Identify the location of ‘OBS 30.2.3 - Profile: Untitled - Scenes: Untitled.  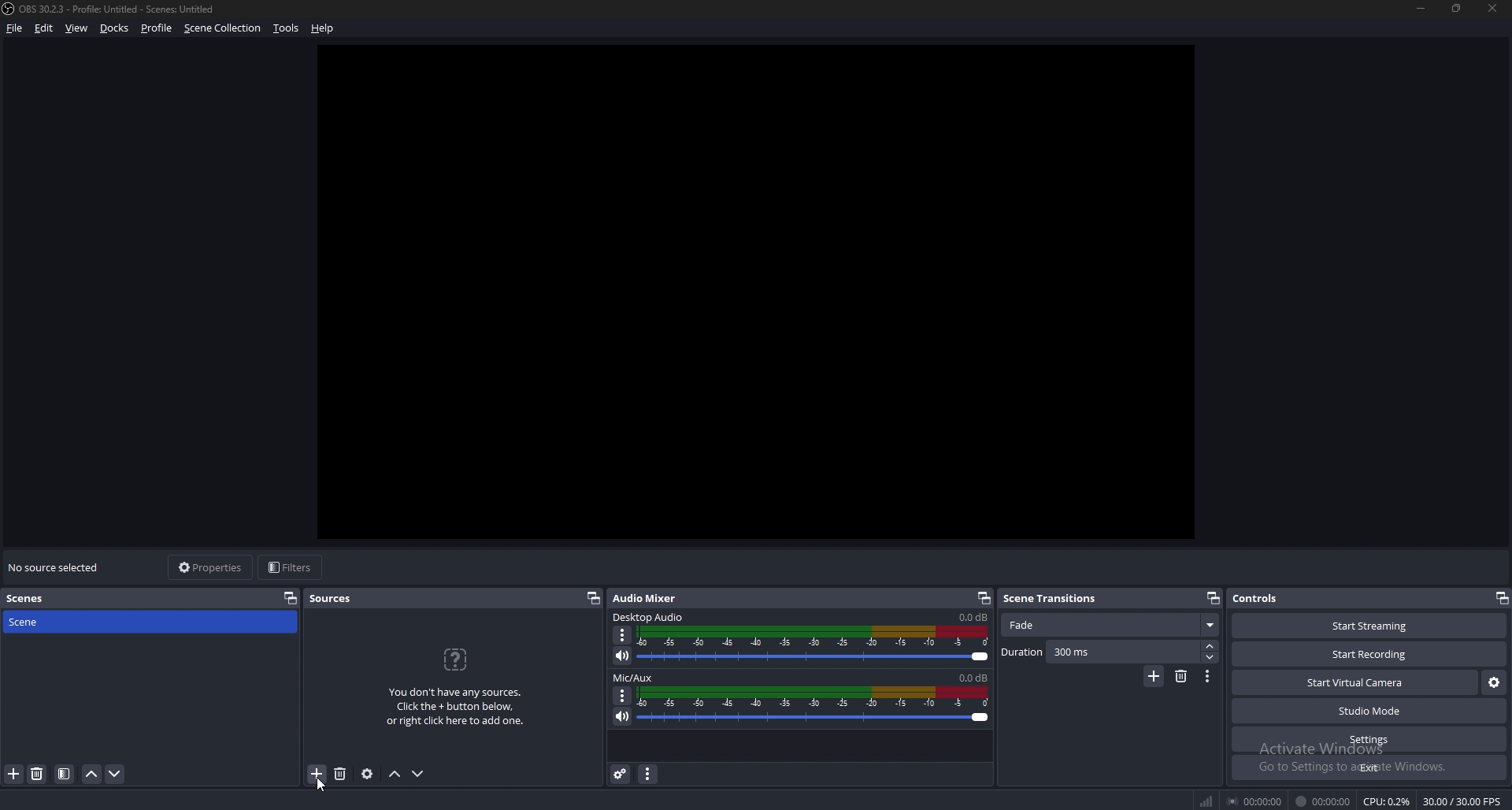
(120, 9).